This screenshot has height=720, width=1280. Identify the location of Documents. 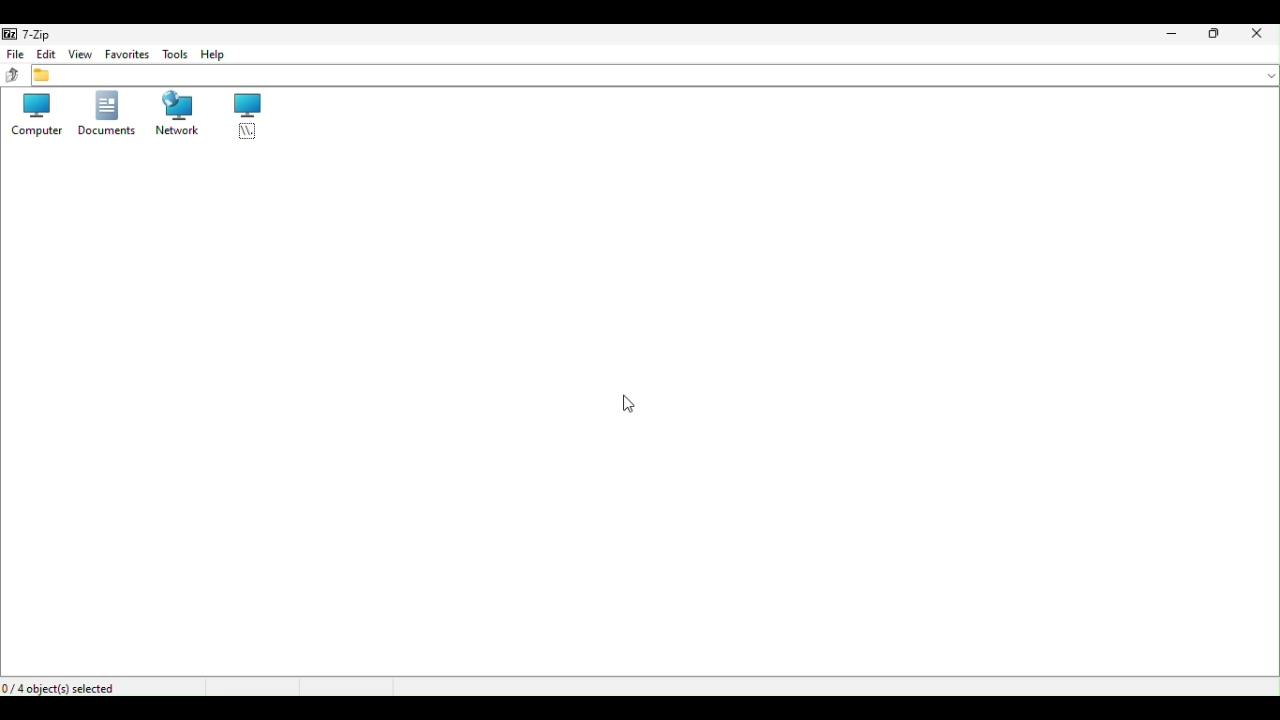
(106, 113).